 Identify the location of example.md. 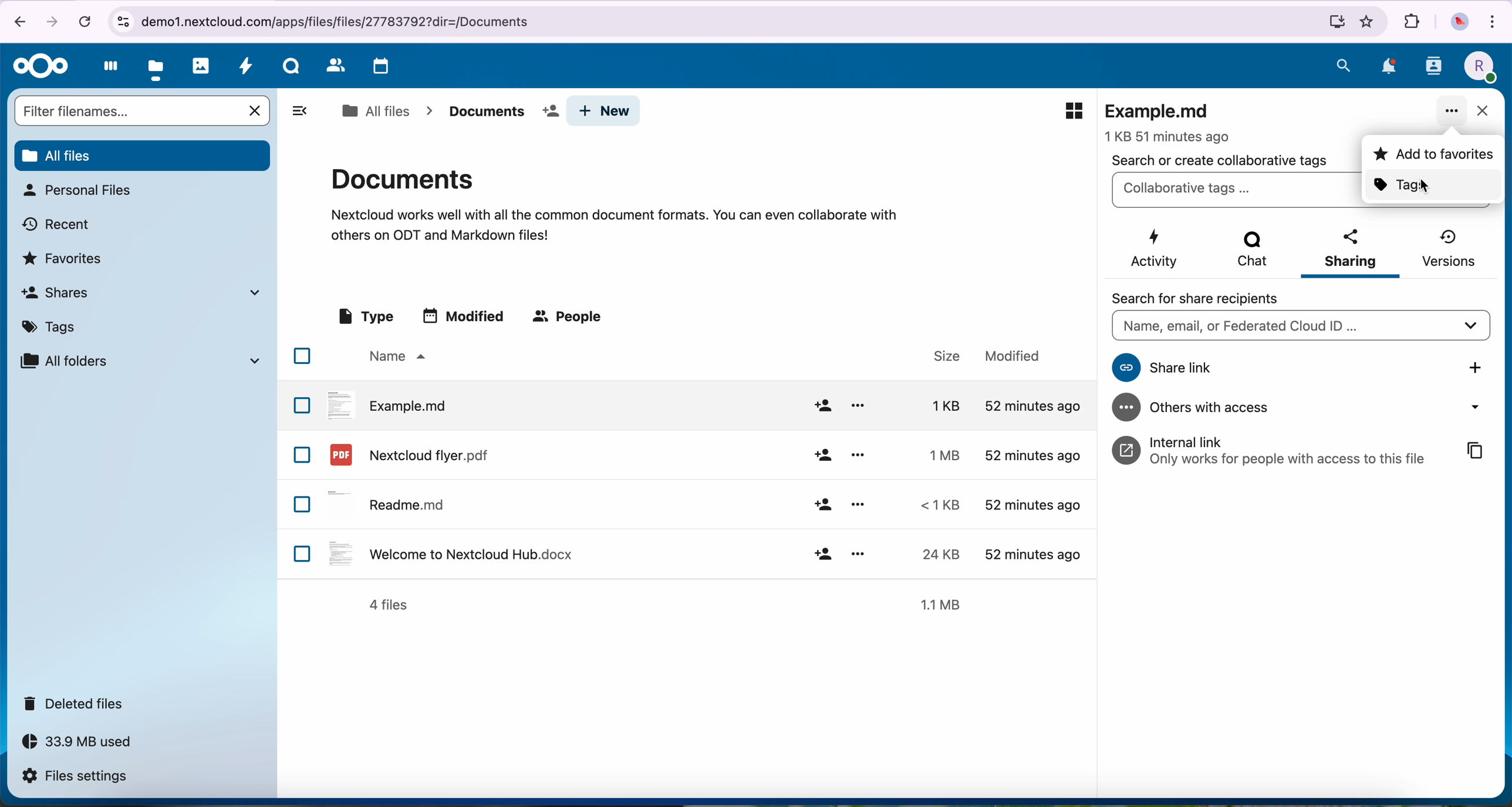
(388, 404).